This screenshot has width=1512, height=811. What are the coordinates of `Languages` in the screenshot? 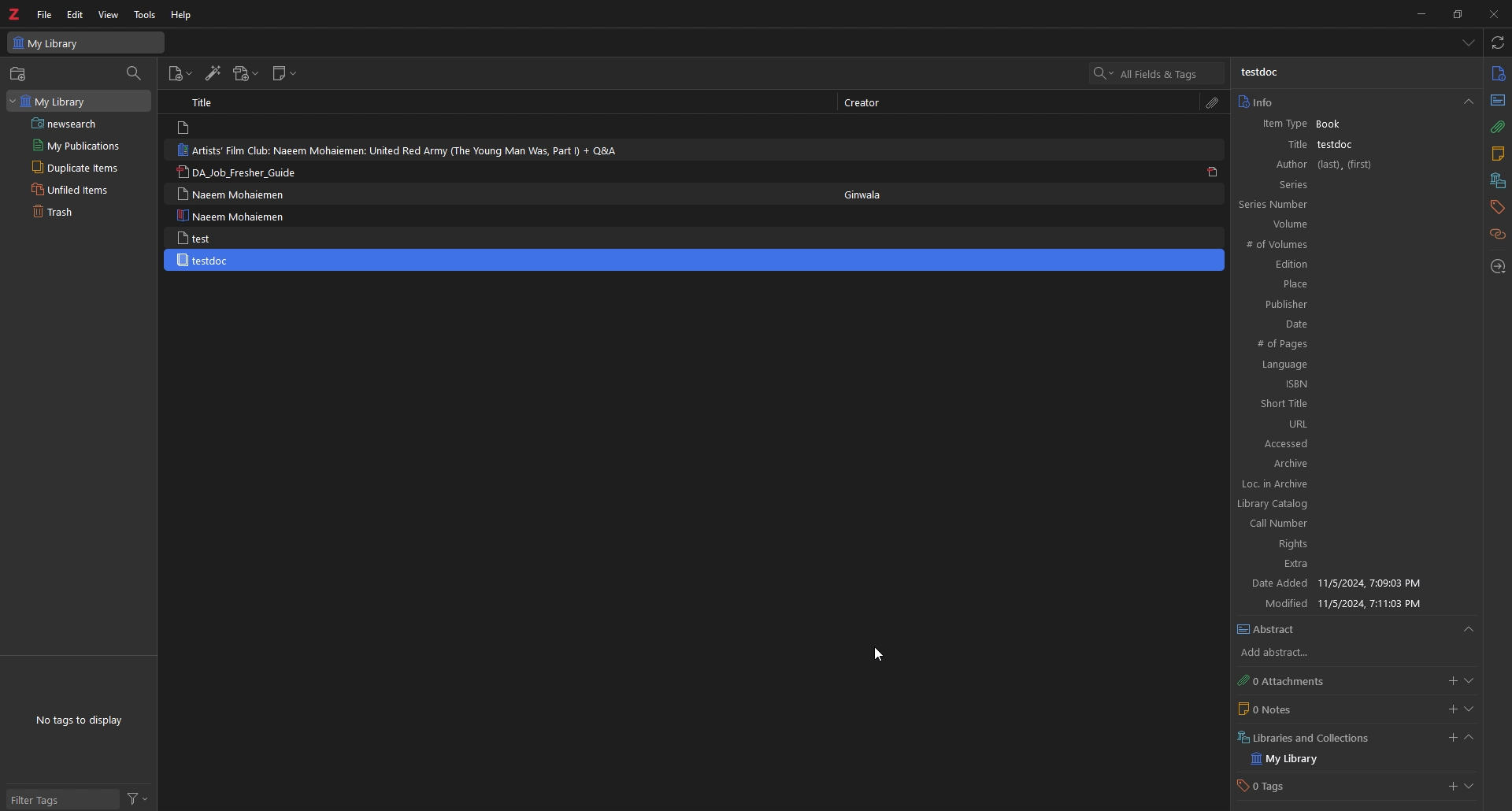 It's located at (1349, 365).